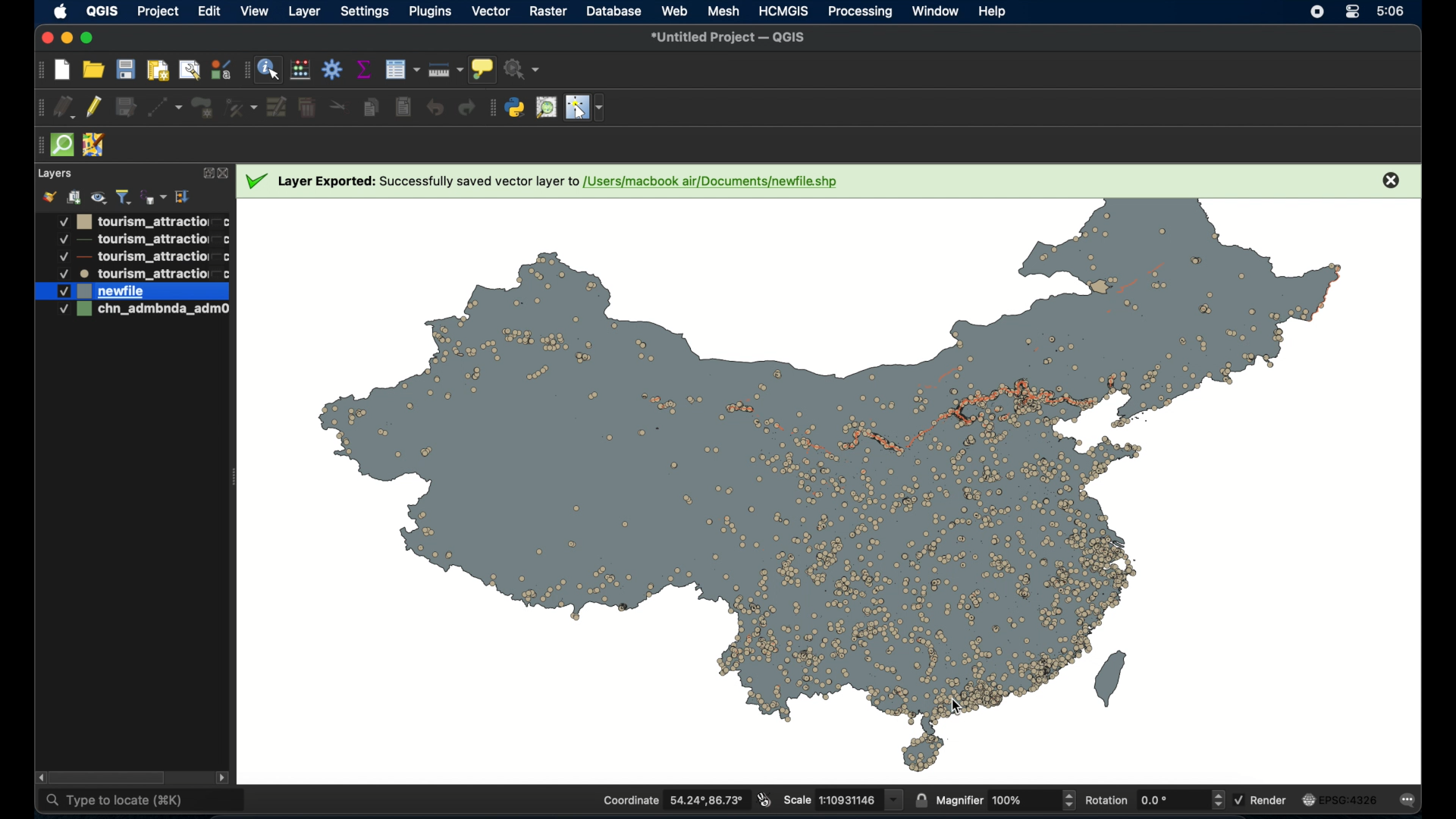  I want to click on apple icon, so click(61, 12).